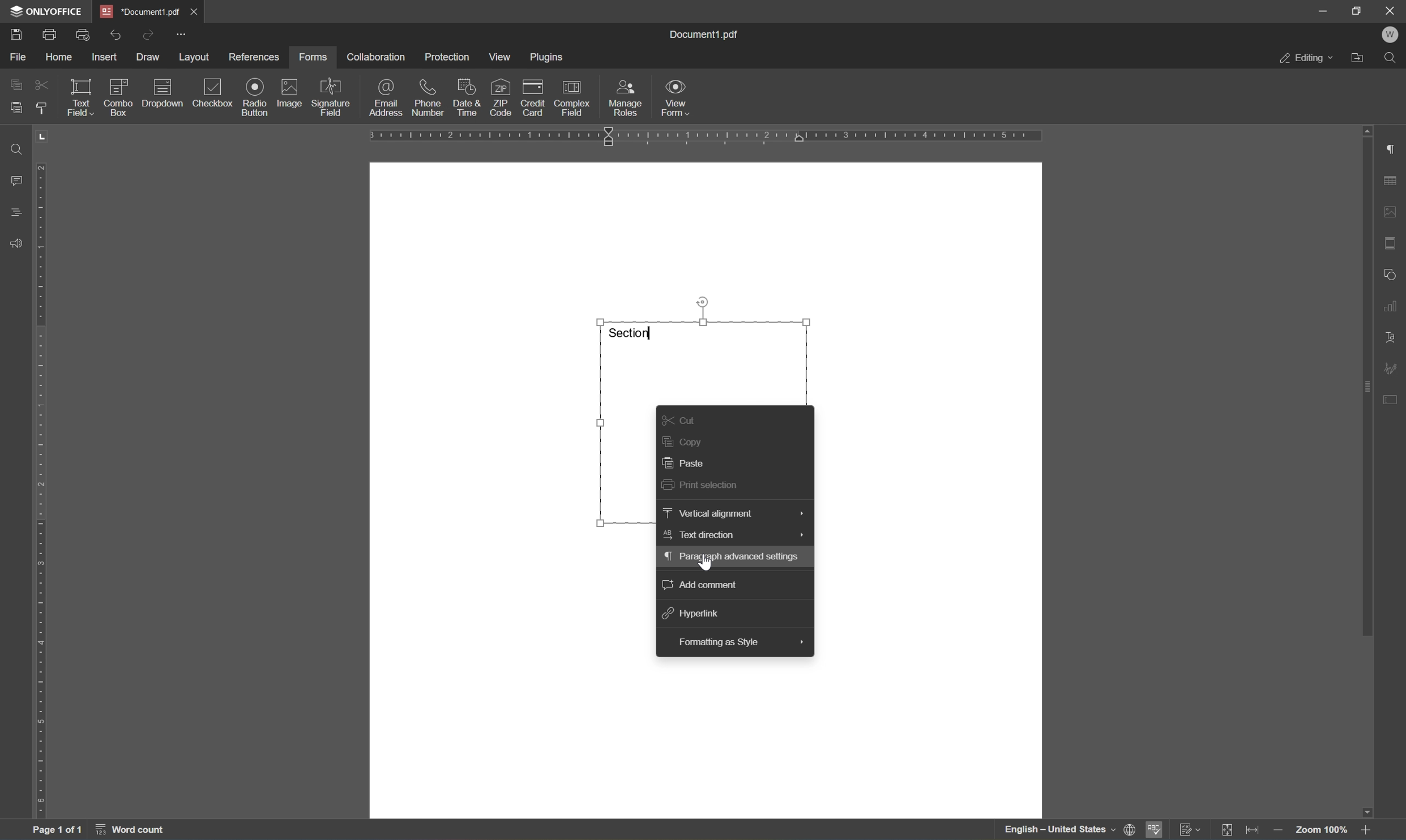  What do you see at coordinates (1066, 830) in the screenshot?
I see `set document language` at bounding box center [1066, 830].